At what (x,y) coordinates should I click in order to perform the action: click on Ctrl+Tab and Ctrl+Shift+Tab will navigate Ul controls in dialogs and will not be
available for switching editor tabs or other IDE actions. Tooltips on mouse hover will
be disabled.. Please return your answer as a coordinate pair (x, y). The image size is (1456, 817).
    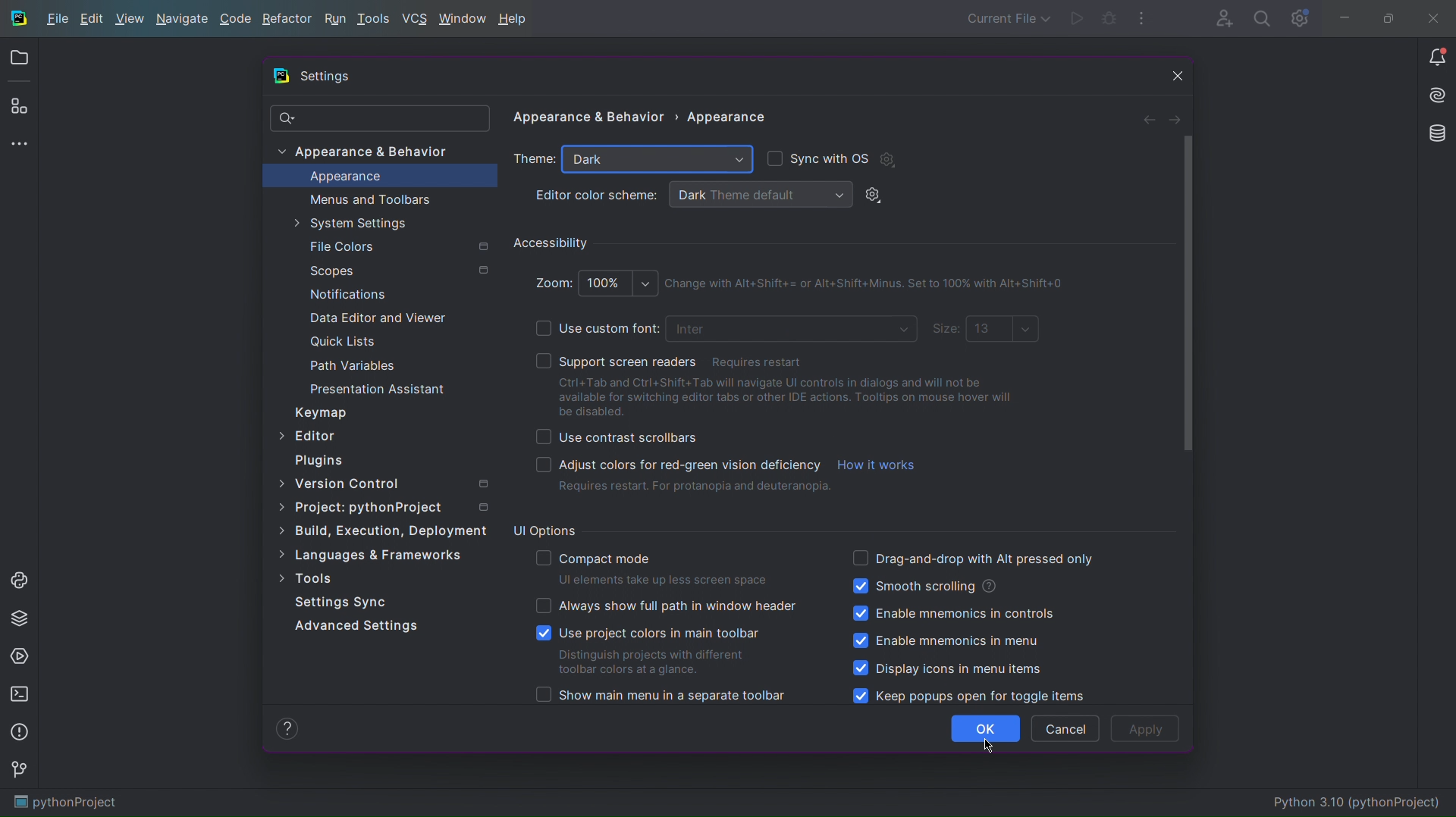
    Looking at the image, I should click on (793, 396).